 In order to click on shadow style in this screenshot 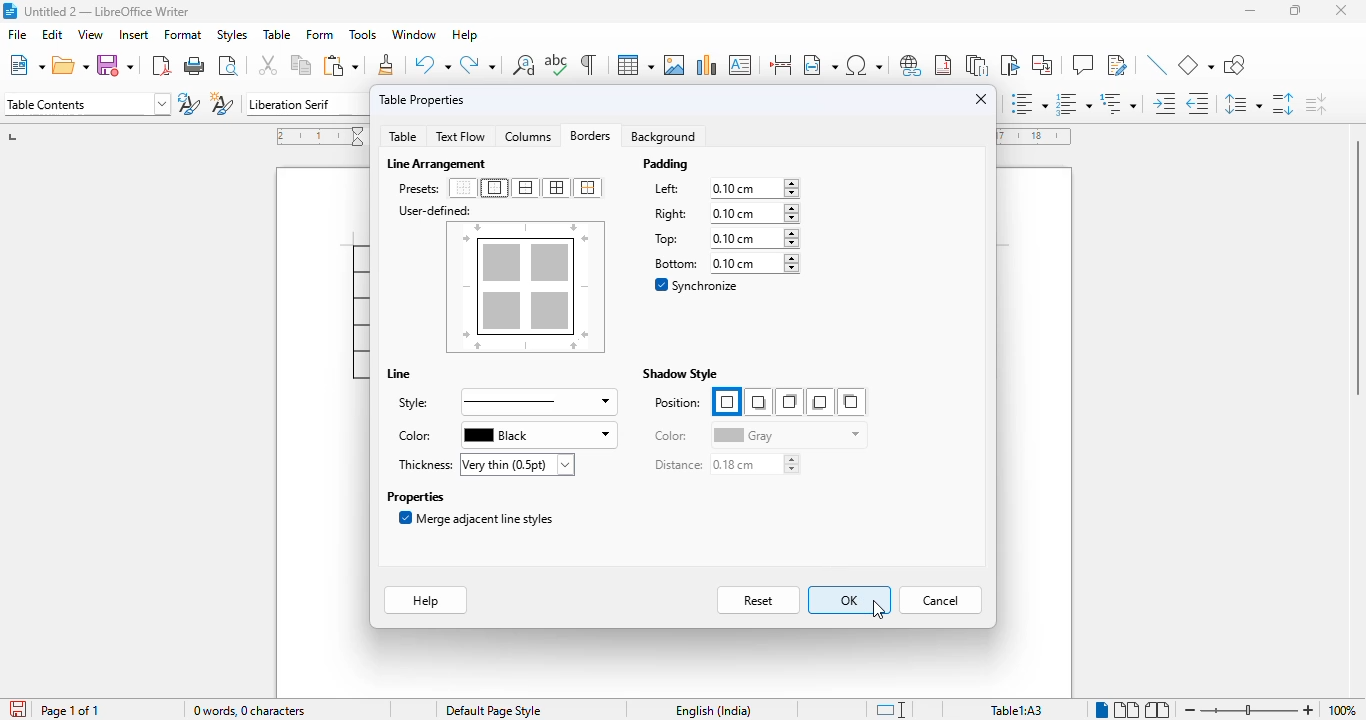, I will do `click(680, 374)`.